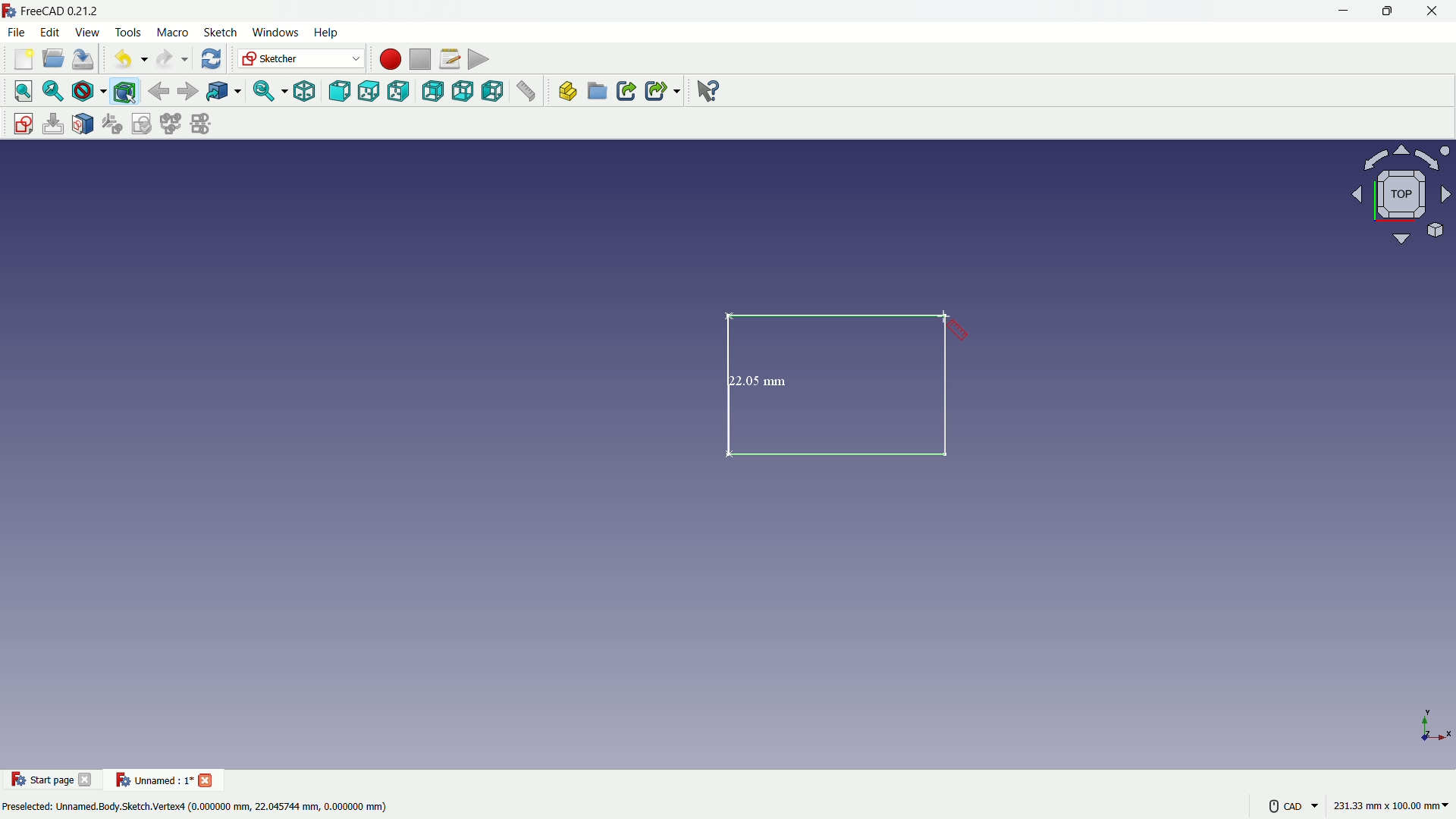 The width and height of the screenshot is (1456, 819). What do you see at coordinates (1403, 196) in the screenshot?
I see `rotate or change view` at bounding box center [1403, 196].